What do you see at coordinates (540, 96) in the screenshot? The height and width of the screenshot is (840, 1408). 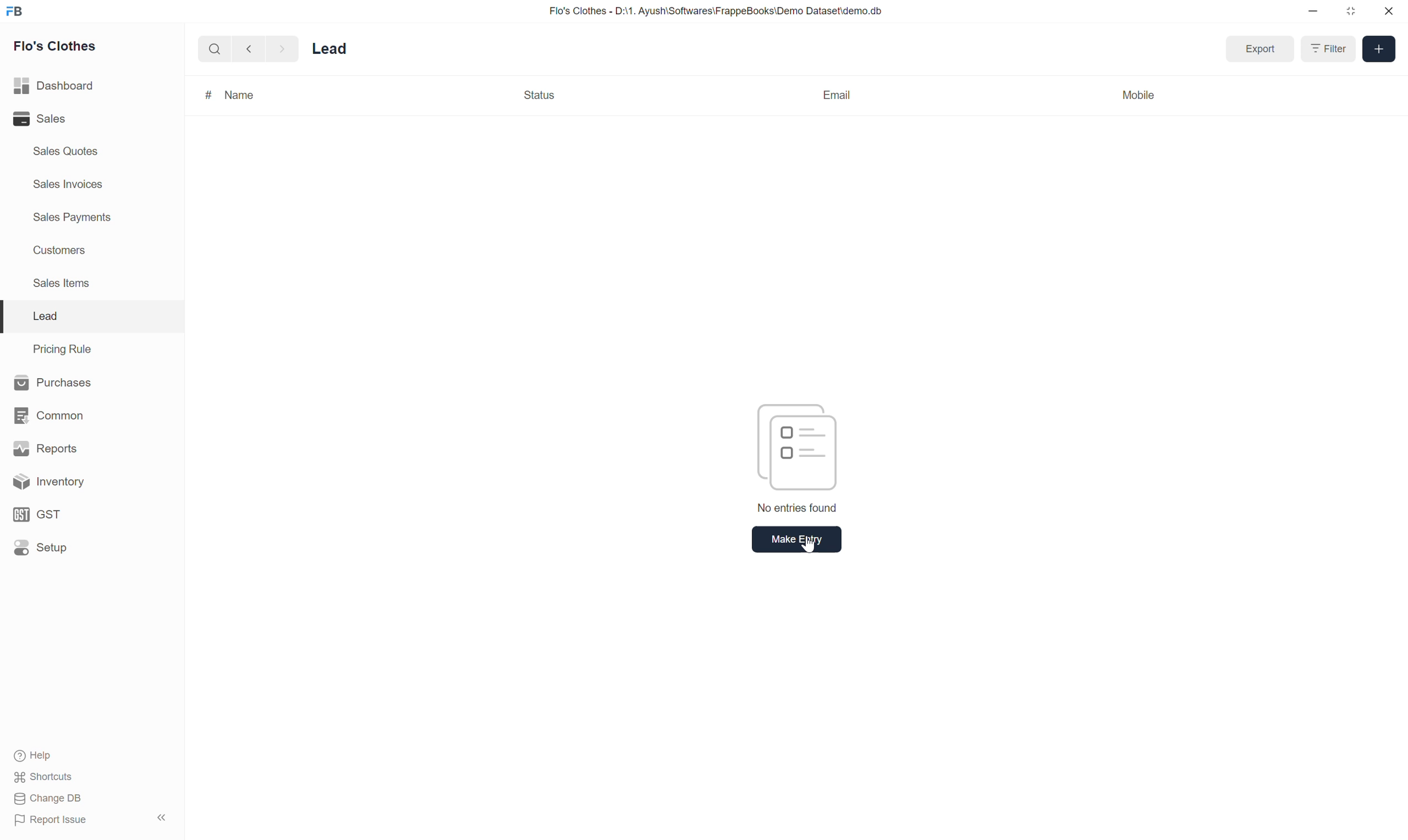 I see `Status` at bounding box center [540, 96].